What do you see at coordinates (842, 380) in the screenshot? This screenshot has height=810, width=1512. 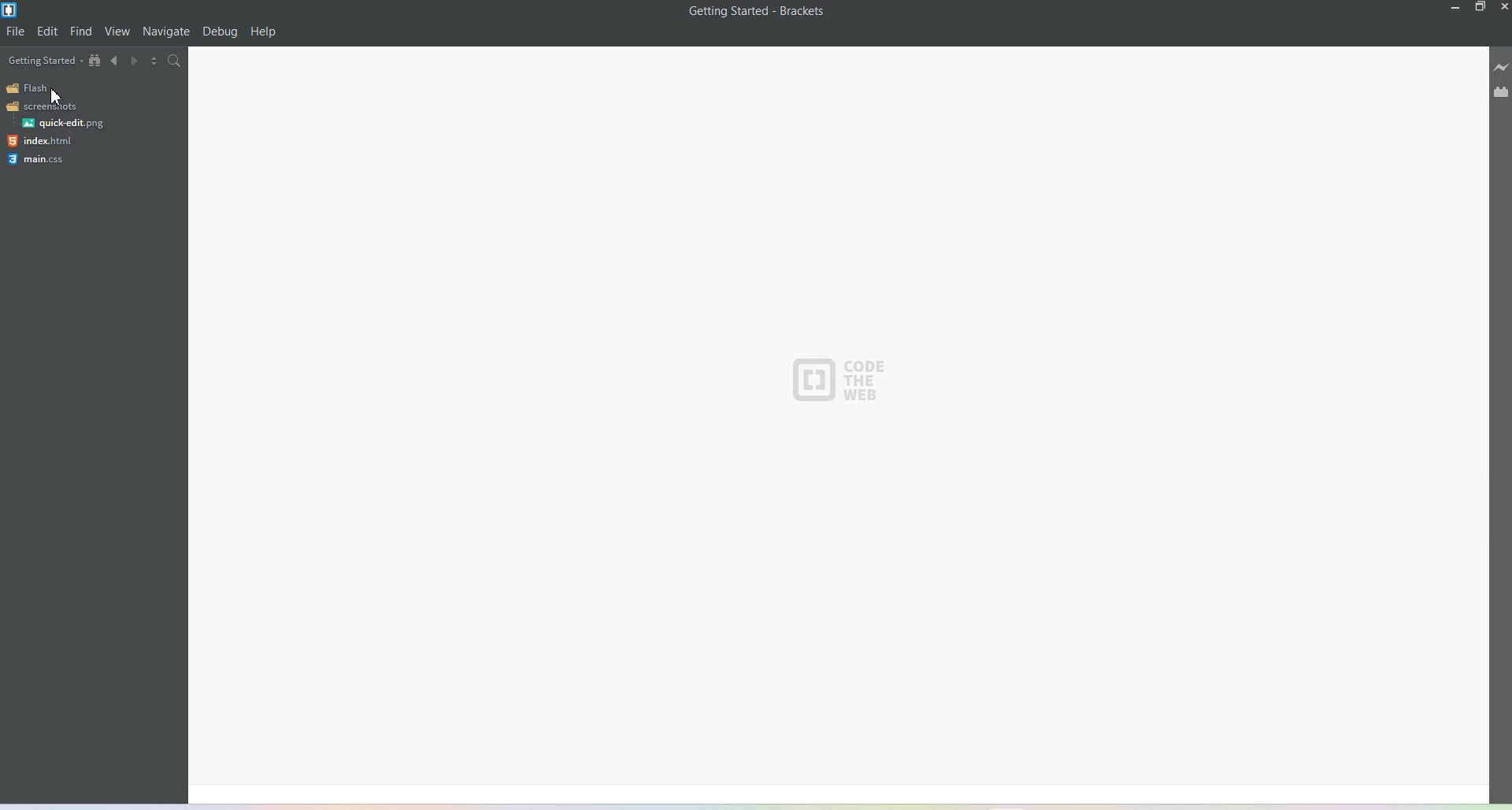 I see `Logo` at bounding box center [842, 380].